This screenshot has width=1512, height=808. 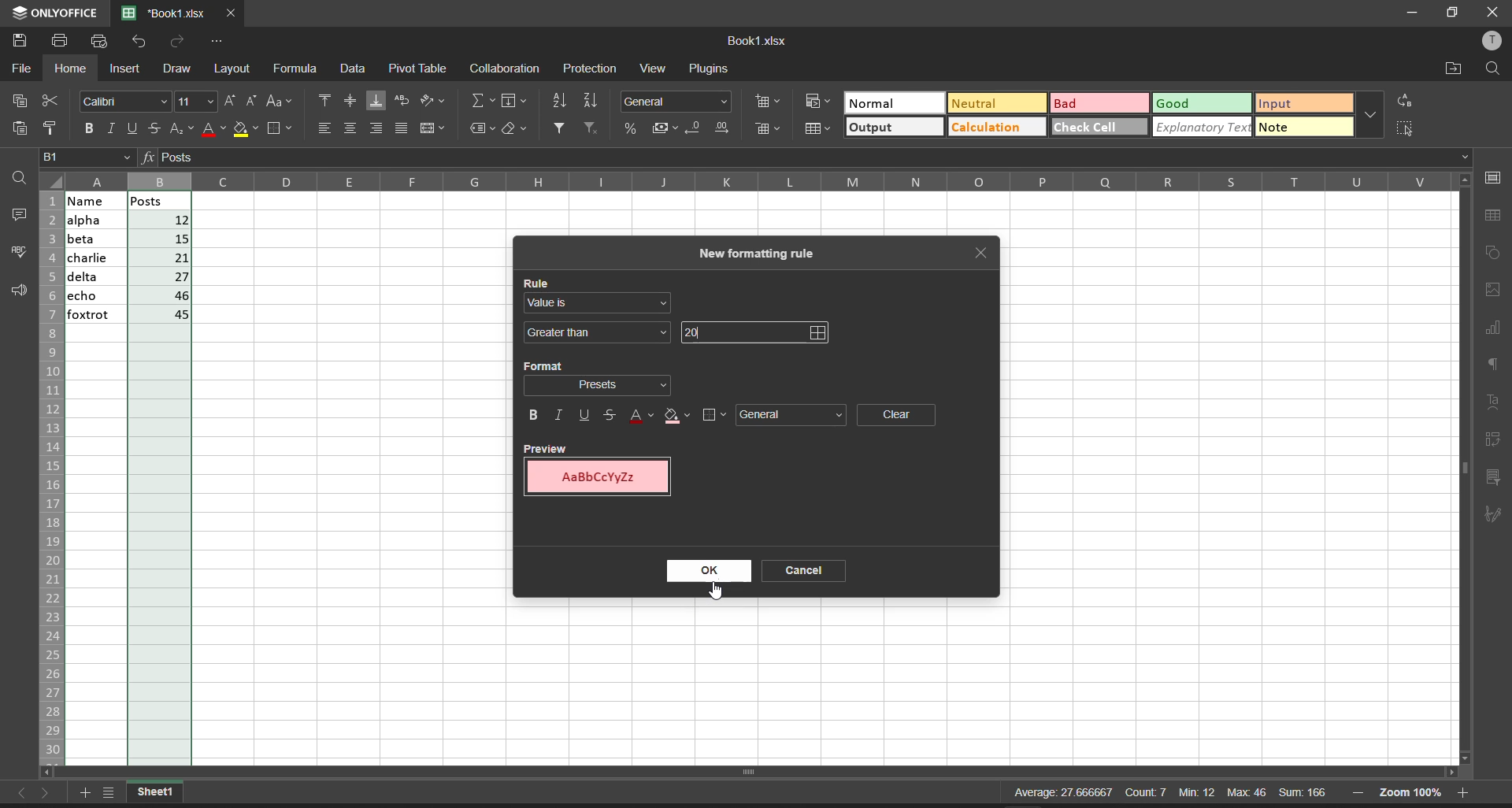 I want to click on user profile, so click(x=1494, y=42).